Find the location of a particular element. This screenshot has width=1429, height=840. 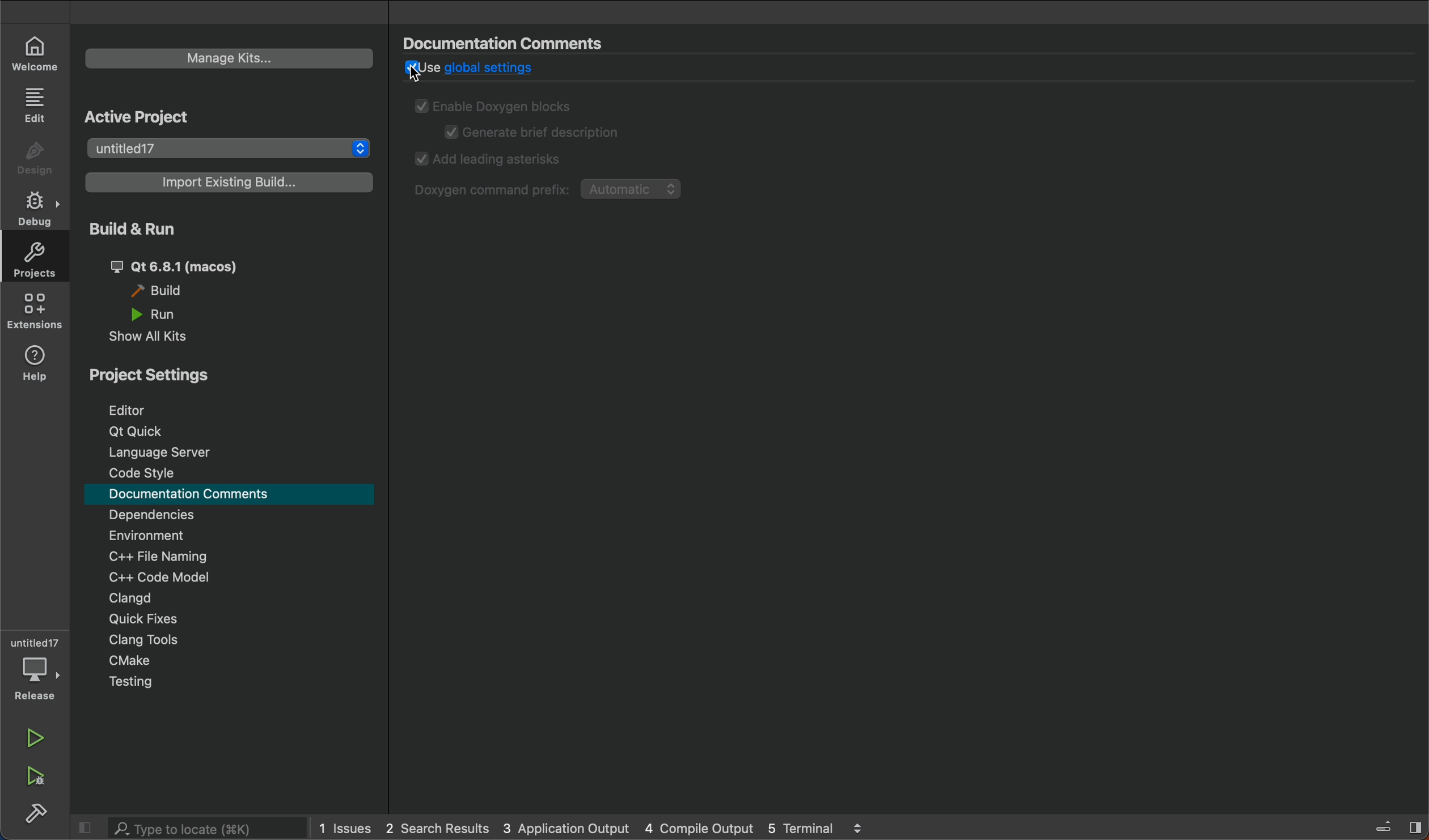

active projects is located at coordinates (150, 114).